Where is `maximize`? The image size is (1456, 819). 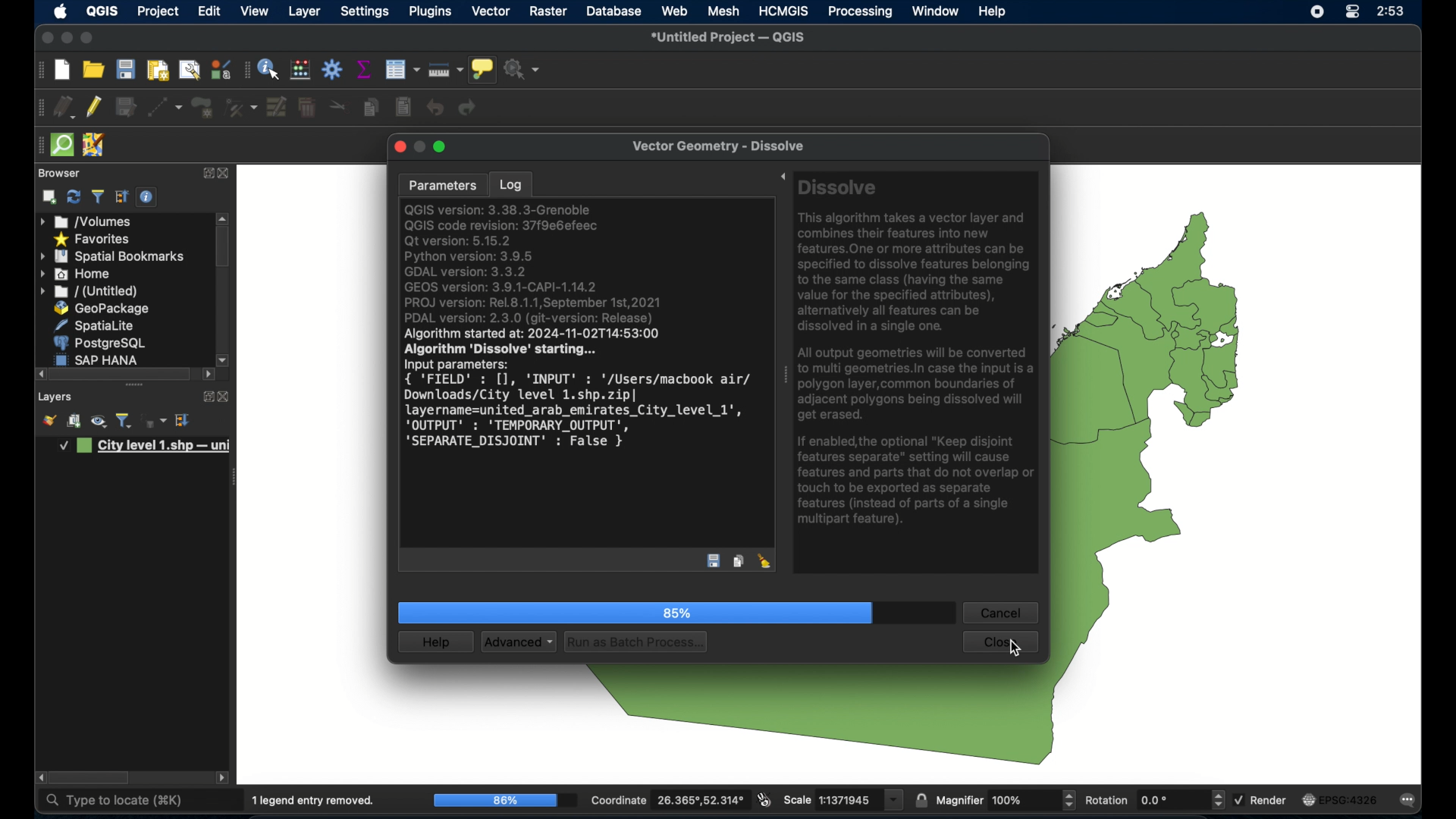 maximize is located at coordinates (45, 39).